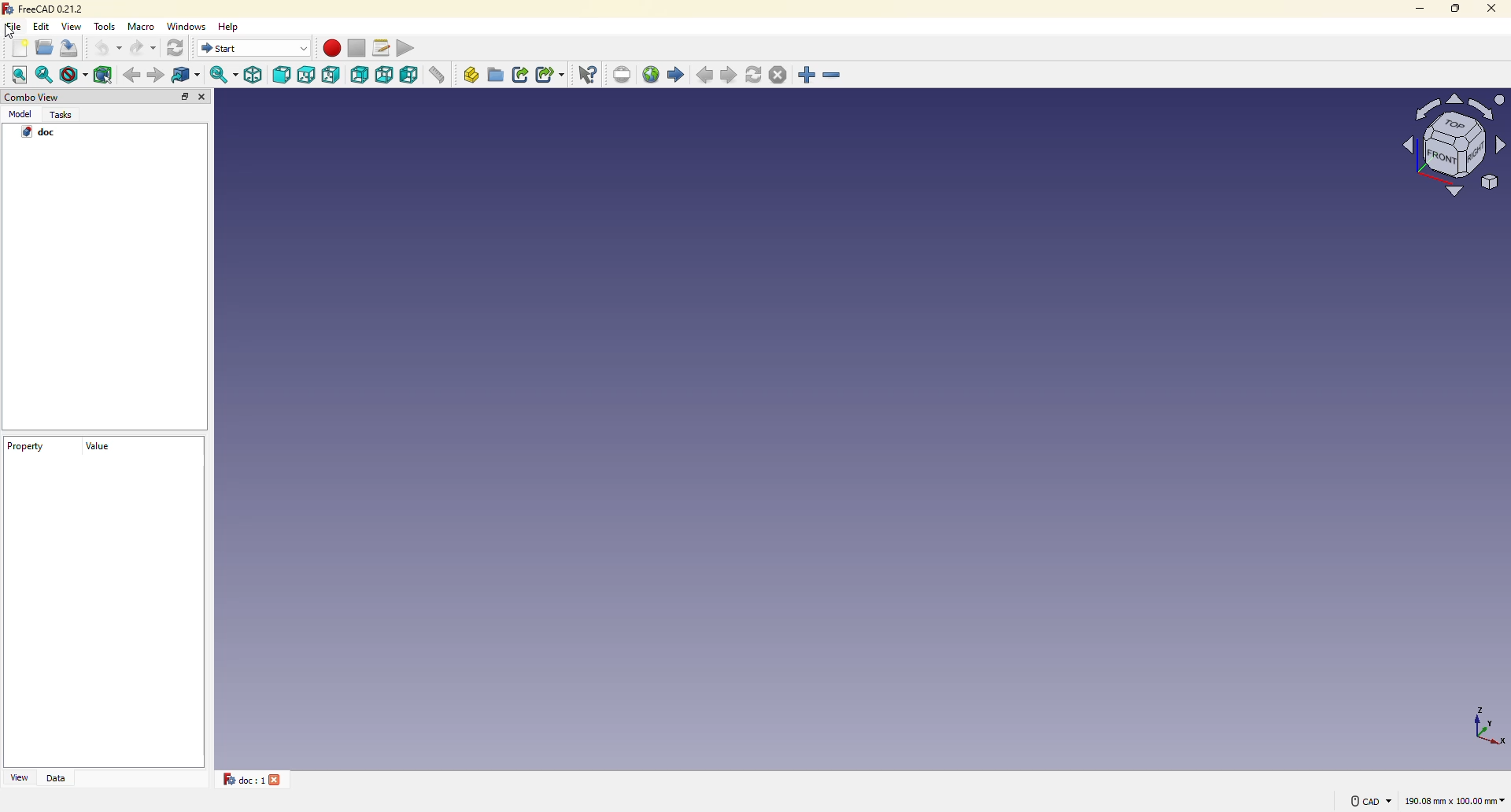 This screenshot has height=812, width=1511. What do you see at coordinates (105, 73) in the screenshot?
I see `bounding box` at bounding box center [105, 73].